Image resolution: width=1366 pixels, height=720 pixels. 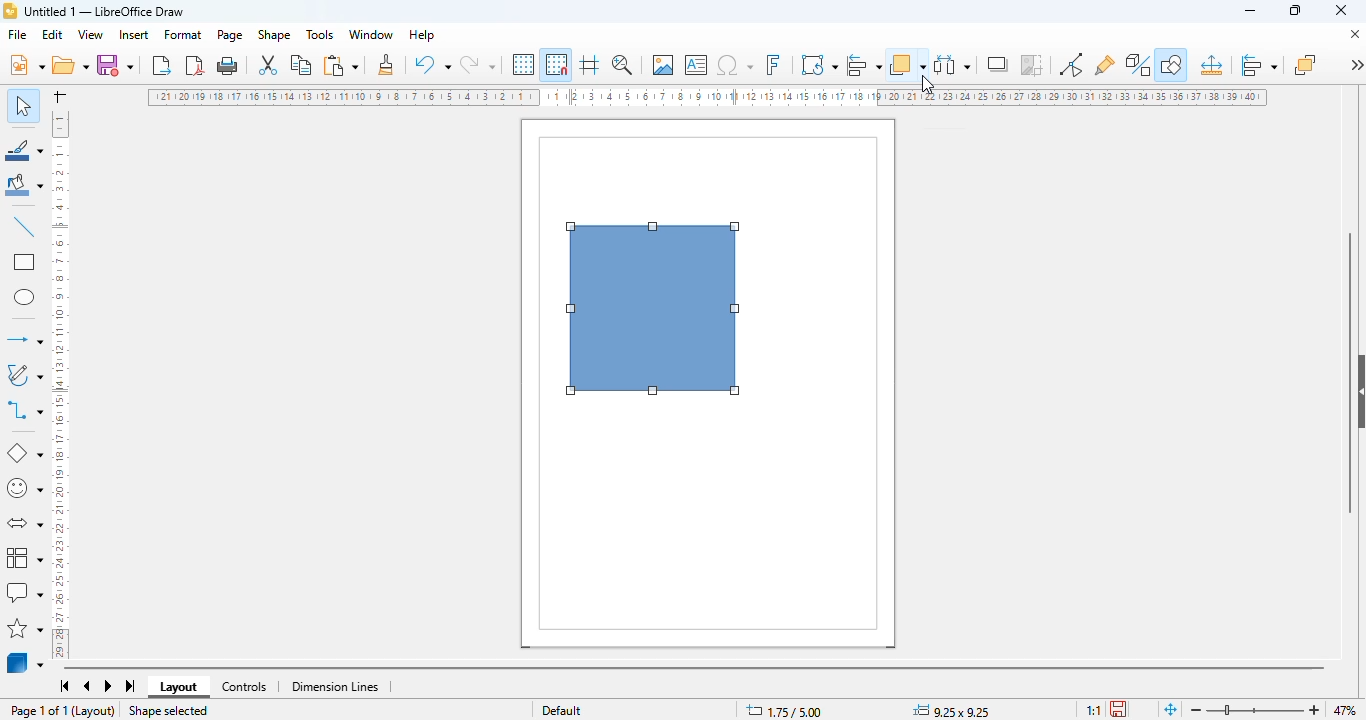 What do you see at coordinates (371, 34) in the screenshot?
I see `window` at bounding box center [371, 34].